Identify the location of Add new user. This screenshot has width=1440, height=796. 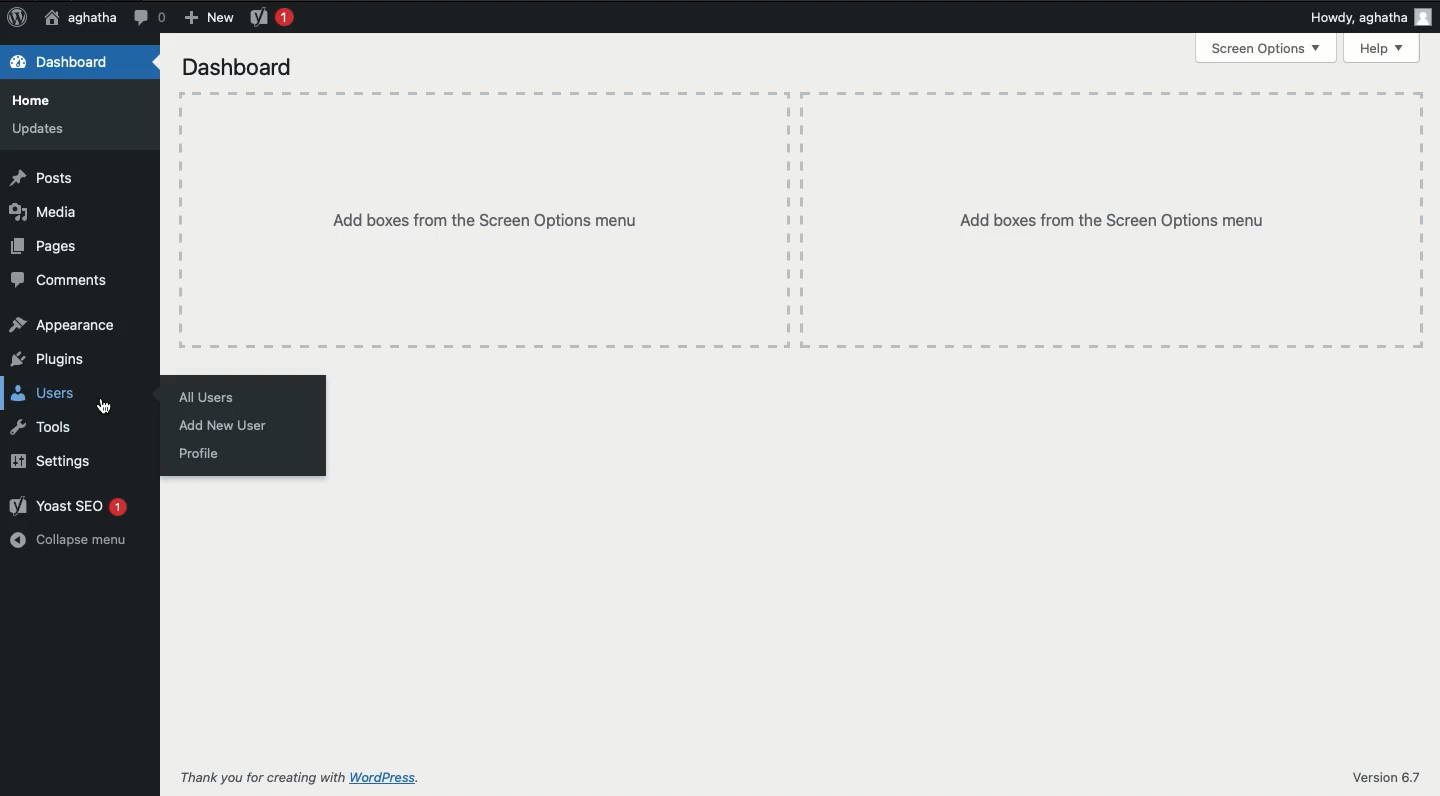
(224, 424).